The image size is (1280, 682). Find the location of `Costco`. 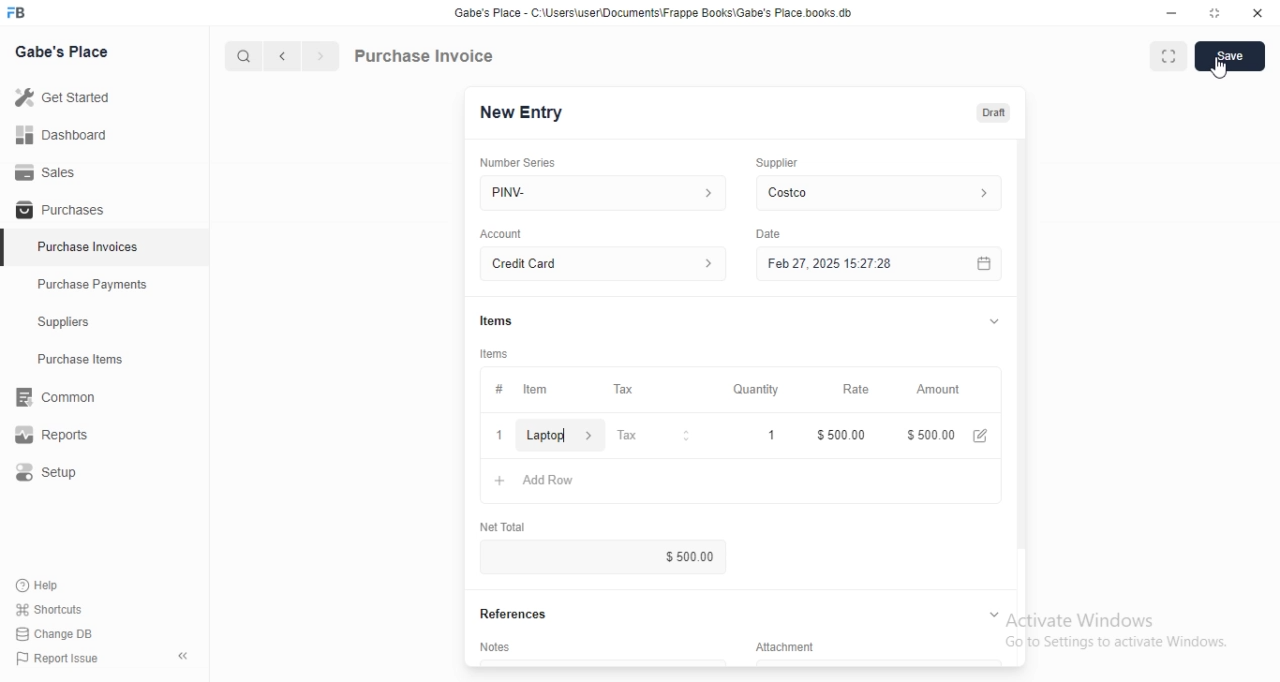

Costco is located at coordinates (879, 193).